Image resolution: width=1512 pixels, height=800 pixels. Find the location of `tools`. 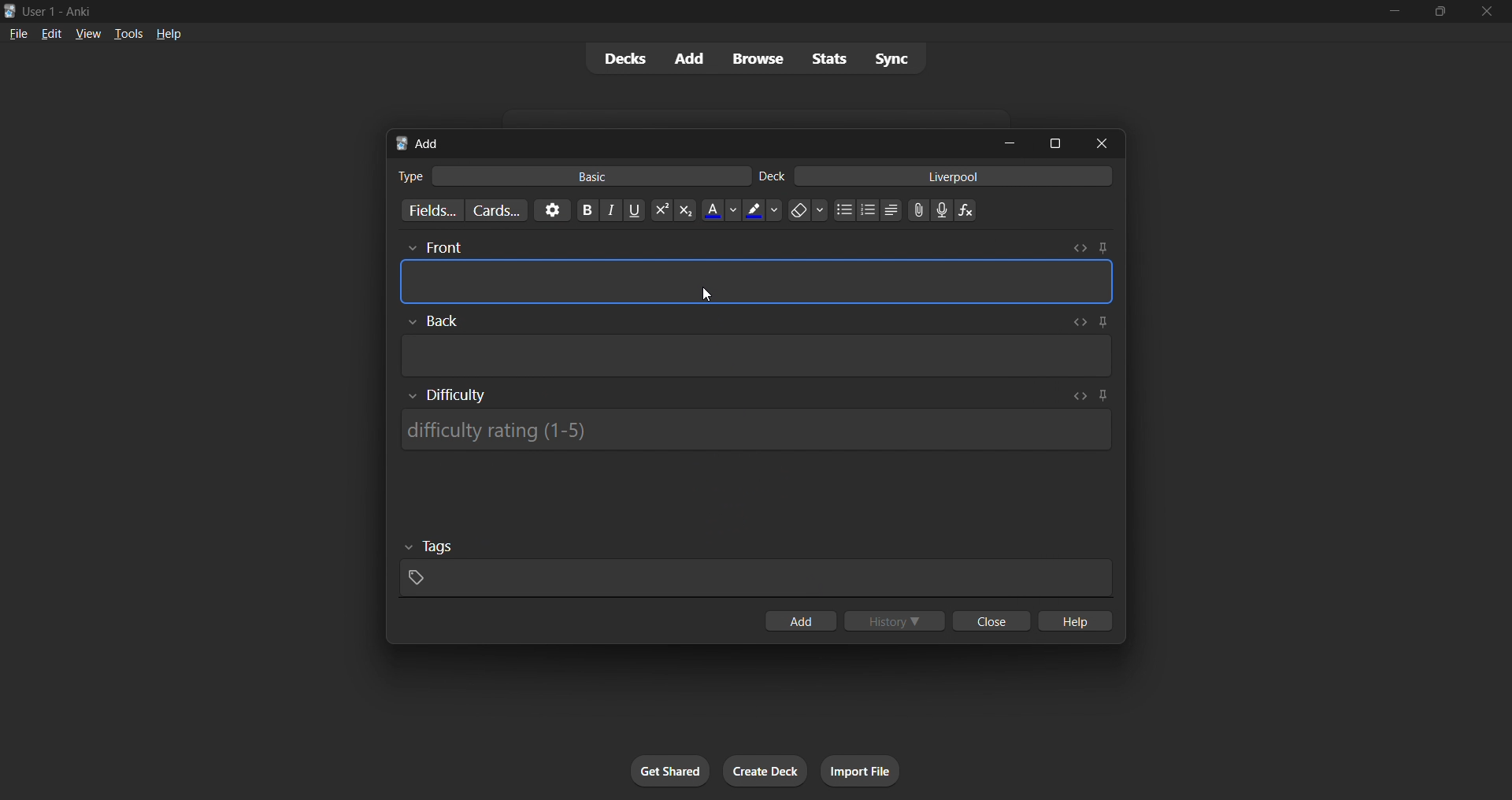

tools is located at coordinates (127, 33).